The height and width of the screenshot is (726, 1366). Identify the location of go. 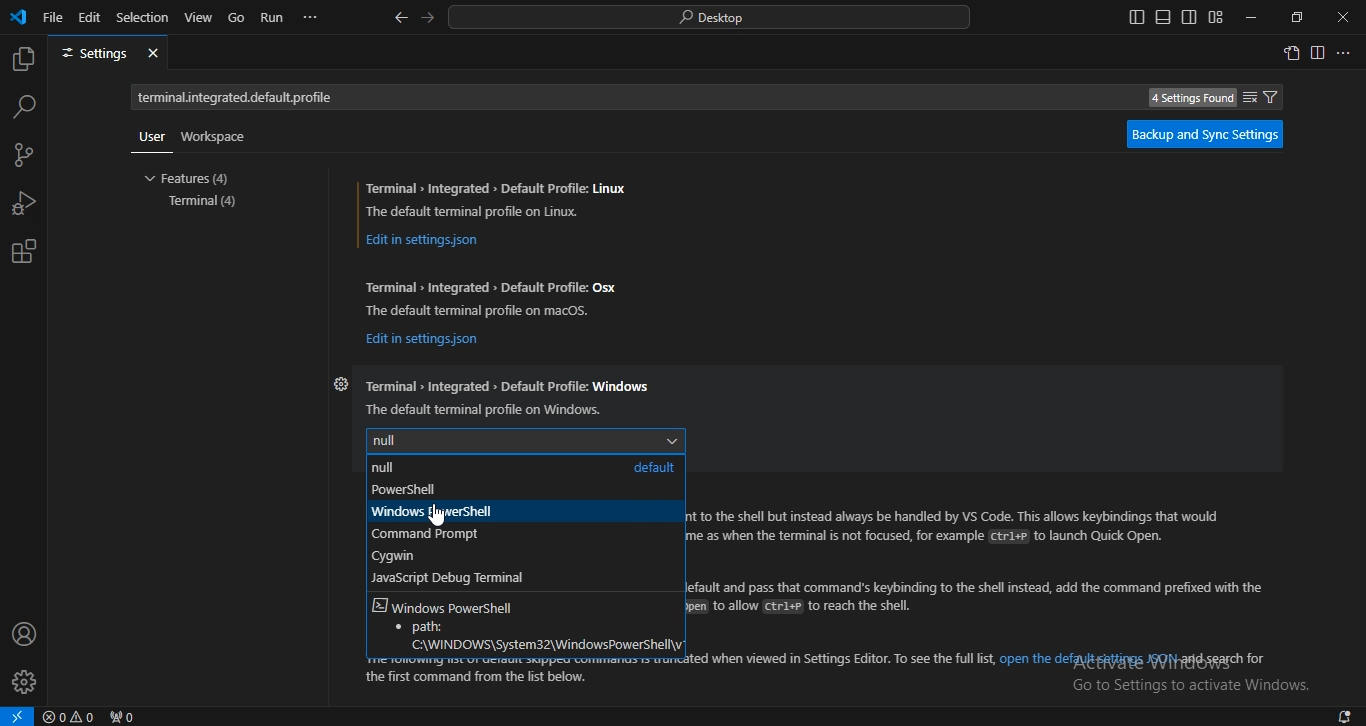
(236, 19).